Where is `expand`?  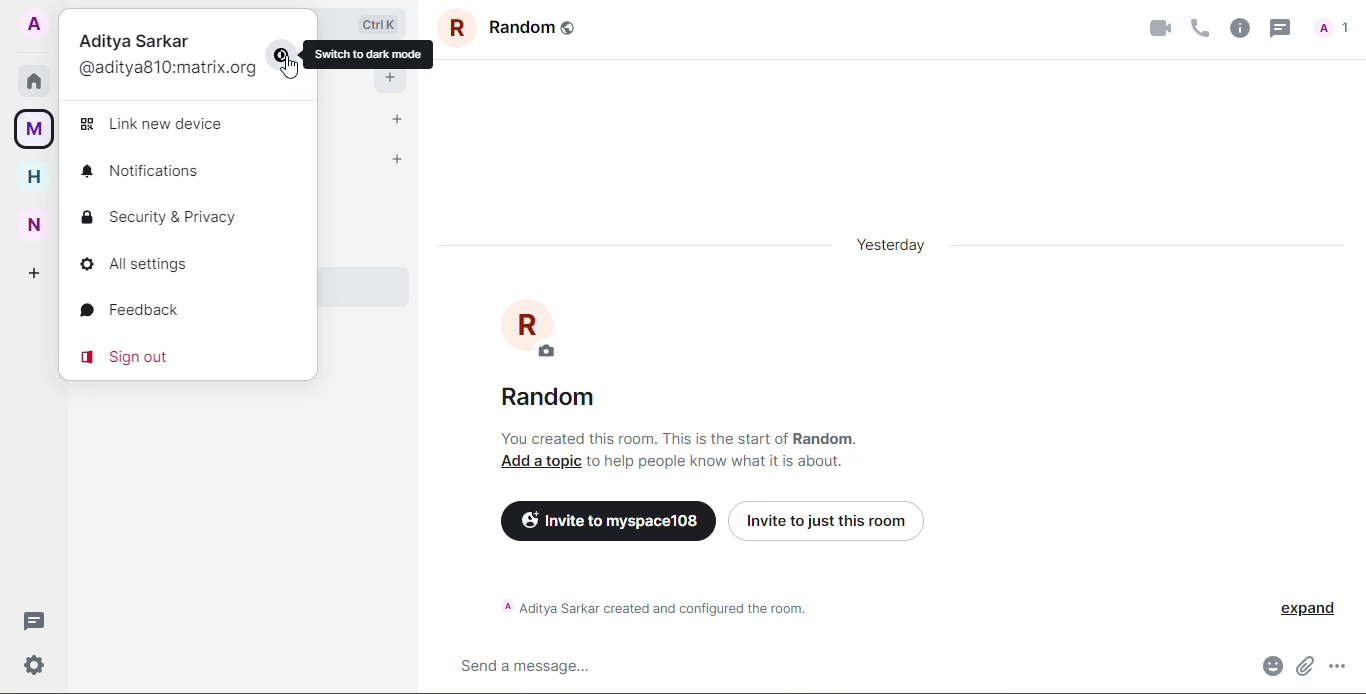 expand is located at coordinates (1309, 608).